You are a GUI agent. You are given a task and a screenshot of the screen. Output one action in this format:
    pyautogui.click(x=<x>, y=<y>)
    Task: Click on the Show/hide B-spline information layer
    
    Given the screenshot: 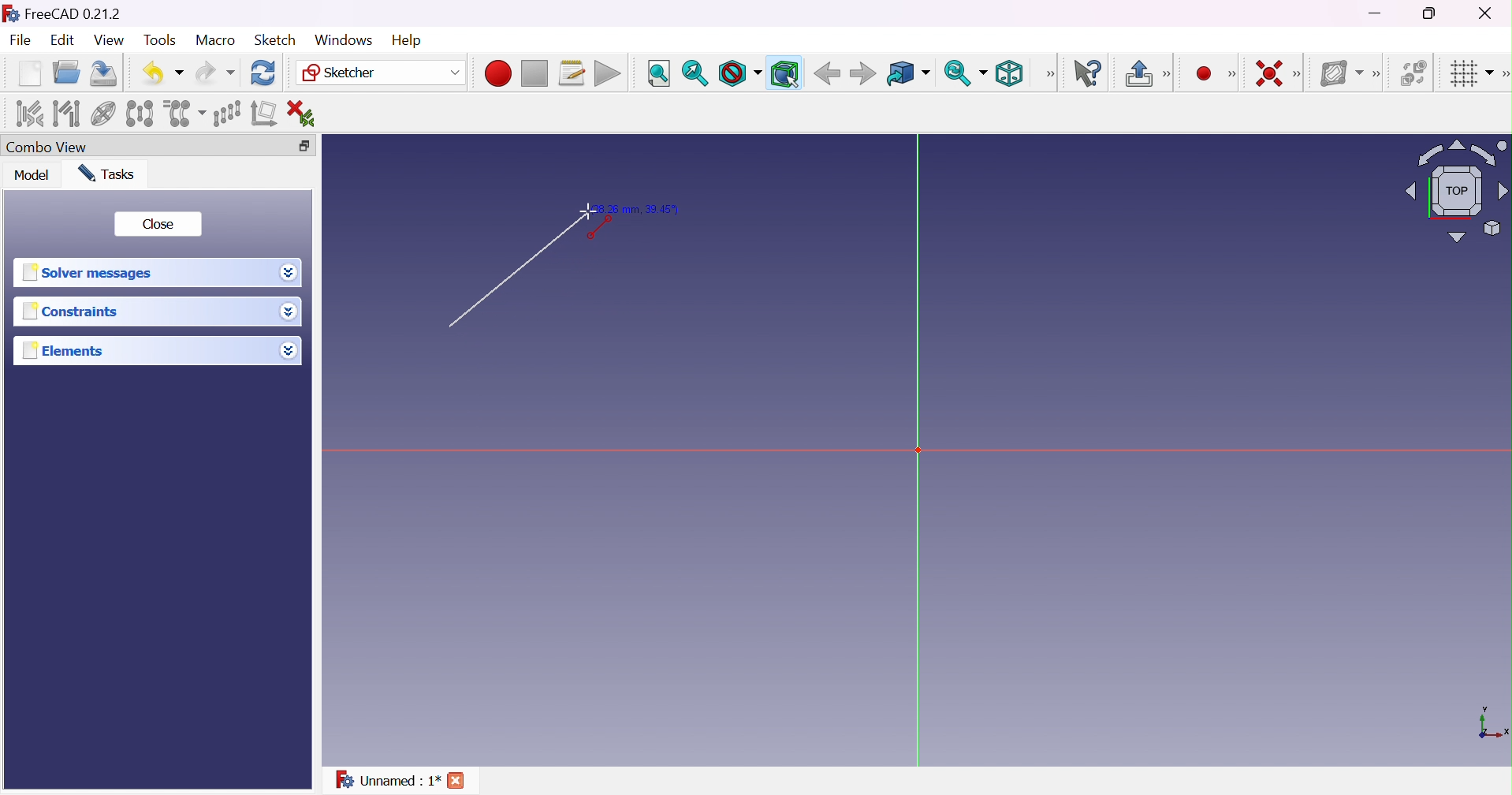 What is the action you would take?
    pyautogui.click(x=1343, y=73)
    